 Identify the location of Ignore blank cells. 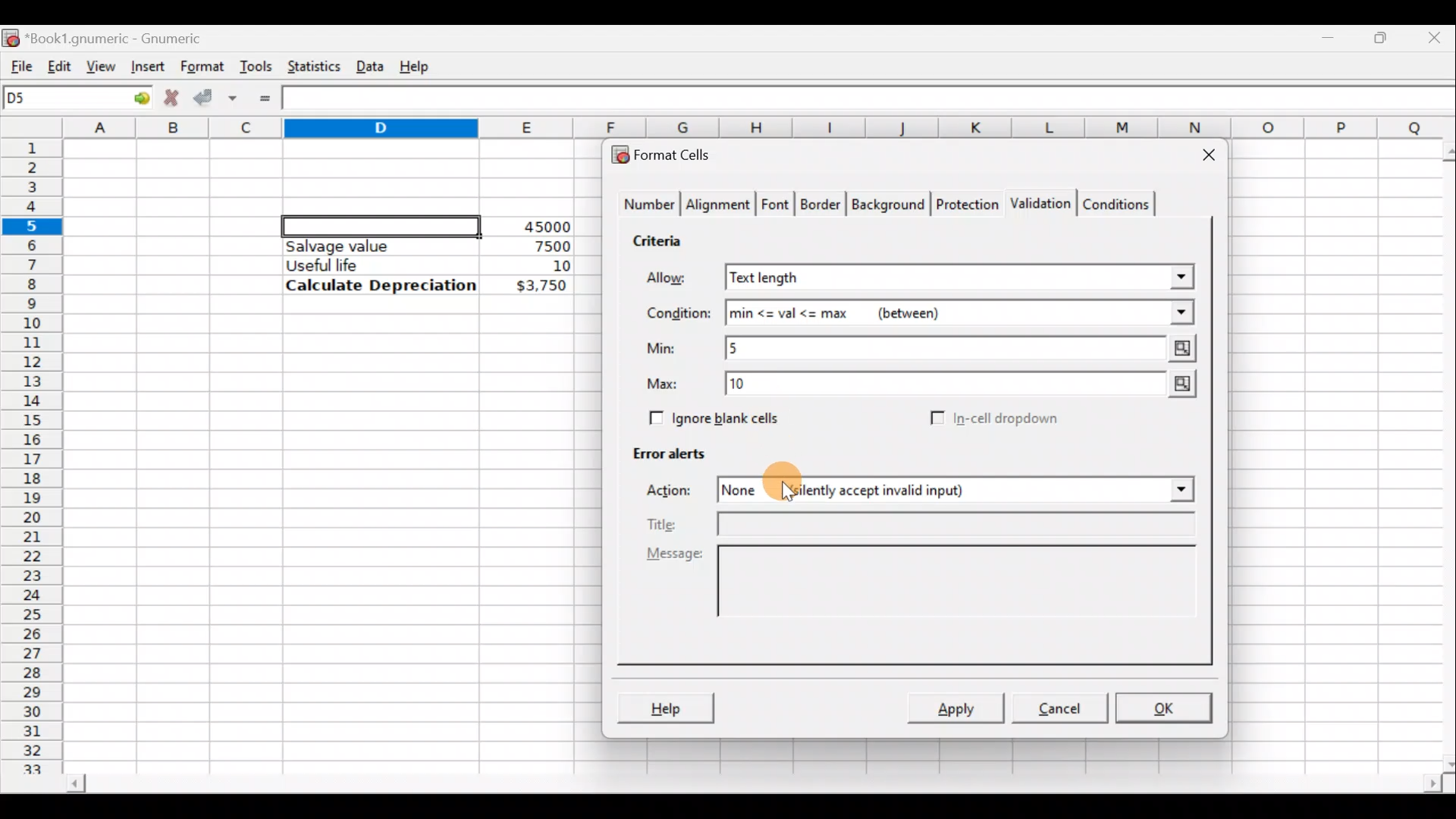
(711, 416).